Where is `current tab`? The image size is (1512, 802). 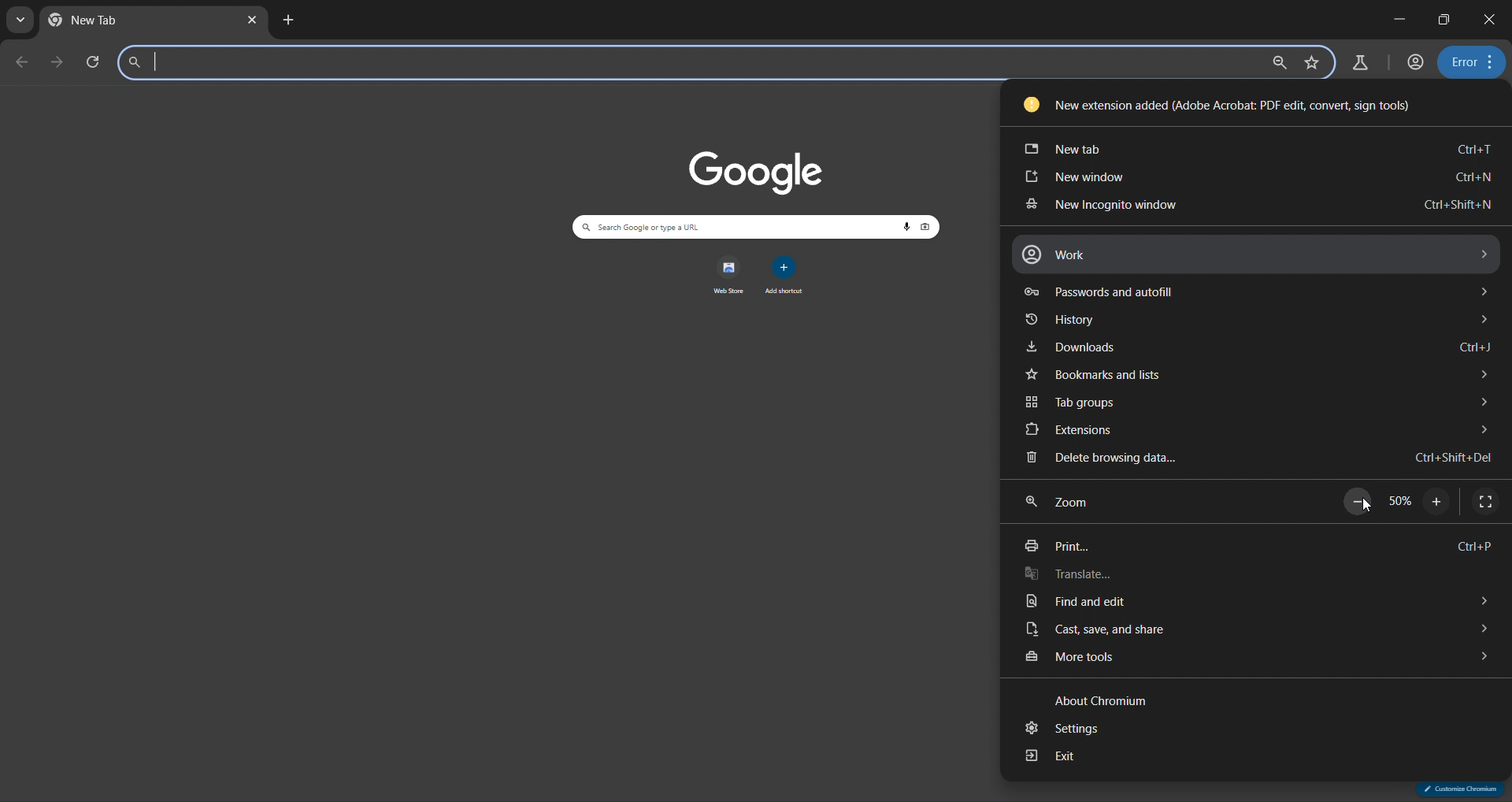
current tab is located at coordinates (94, 20).